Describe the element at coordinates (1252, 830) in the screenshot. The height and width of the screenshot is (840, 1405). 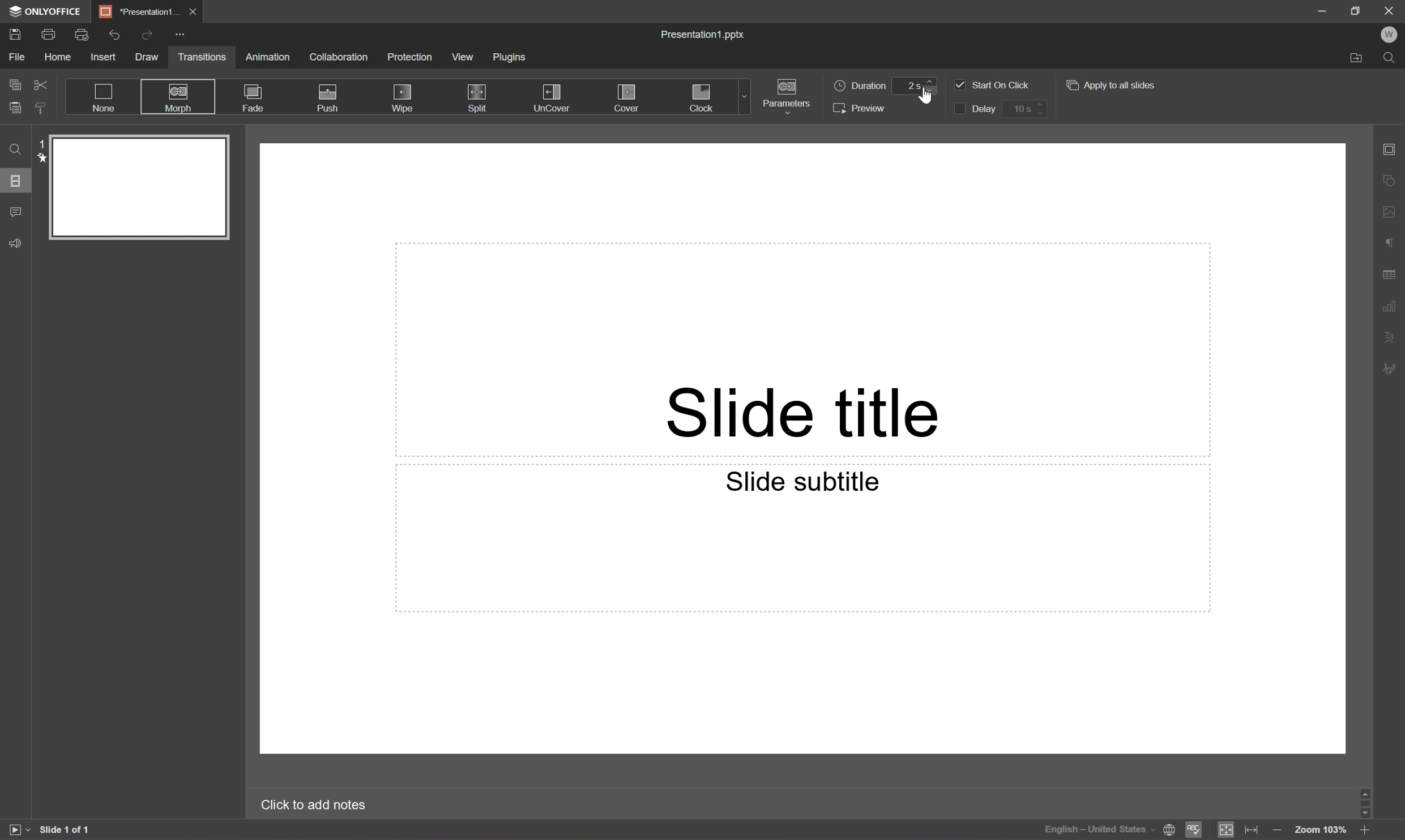
I see `Fit to width` at that location.